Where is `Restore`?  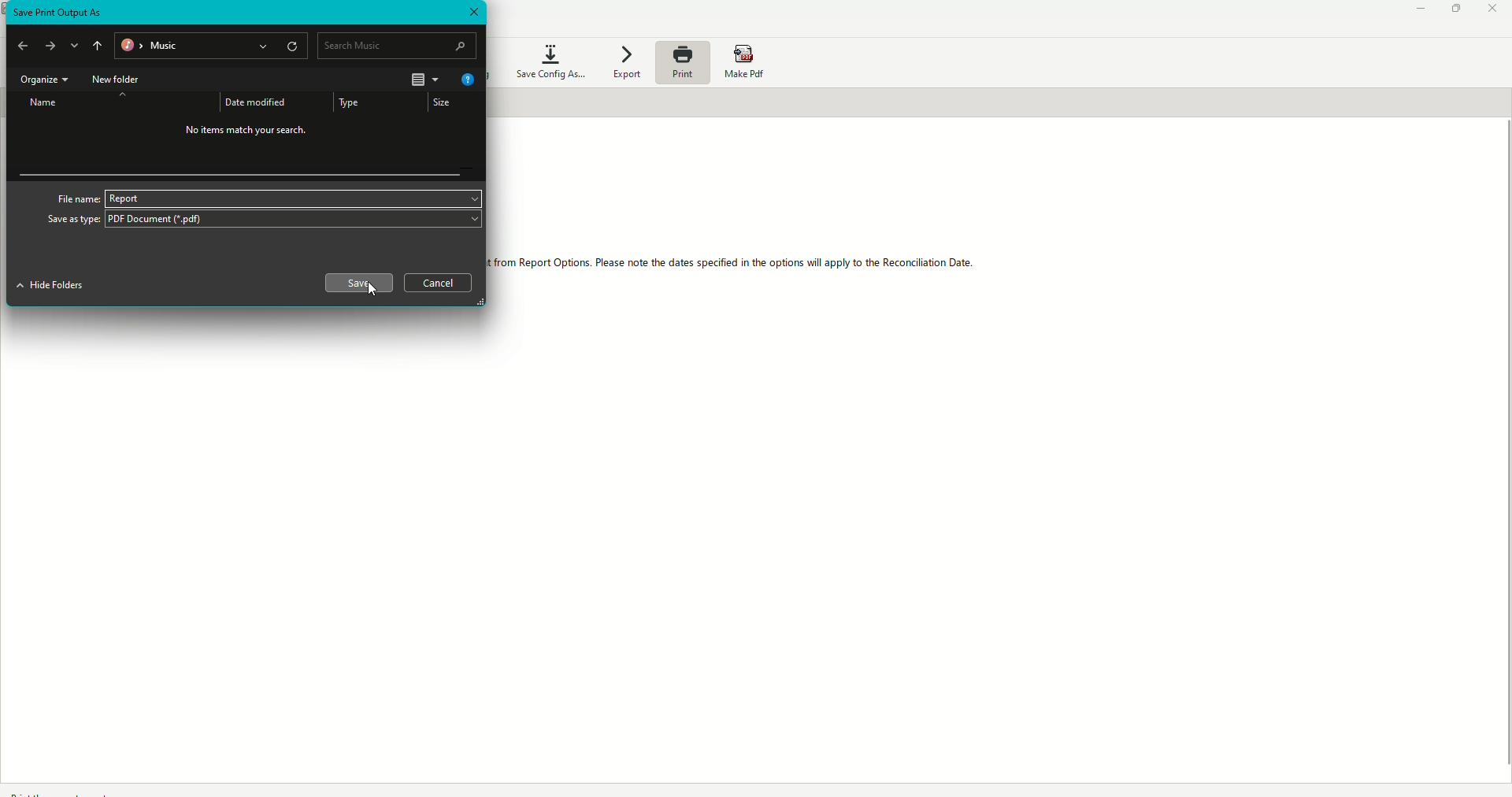 Restore is located at coordinates (1452, 11).